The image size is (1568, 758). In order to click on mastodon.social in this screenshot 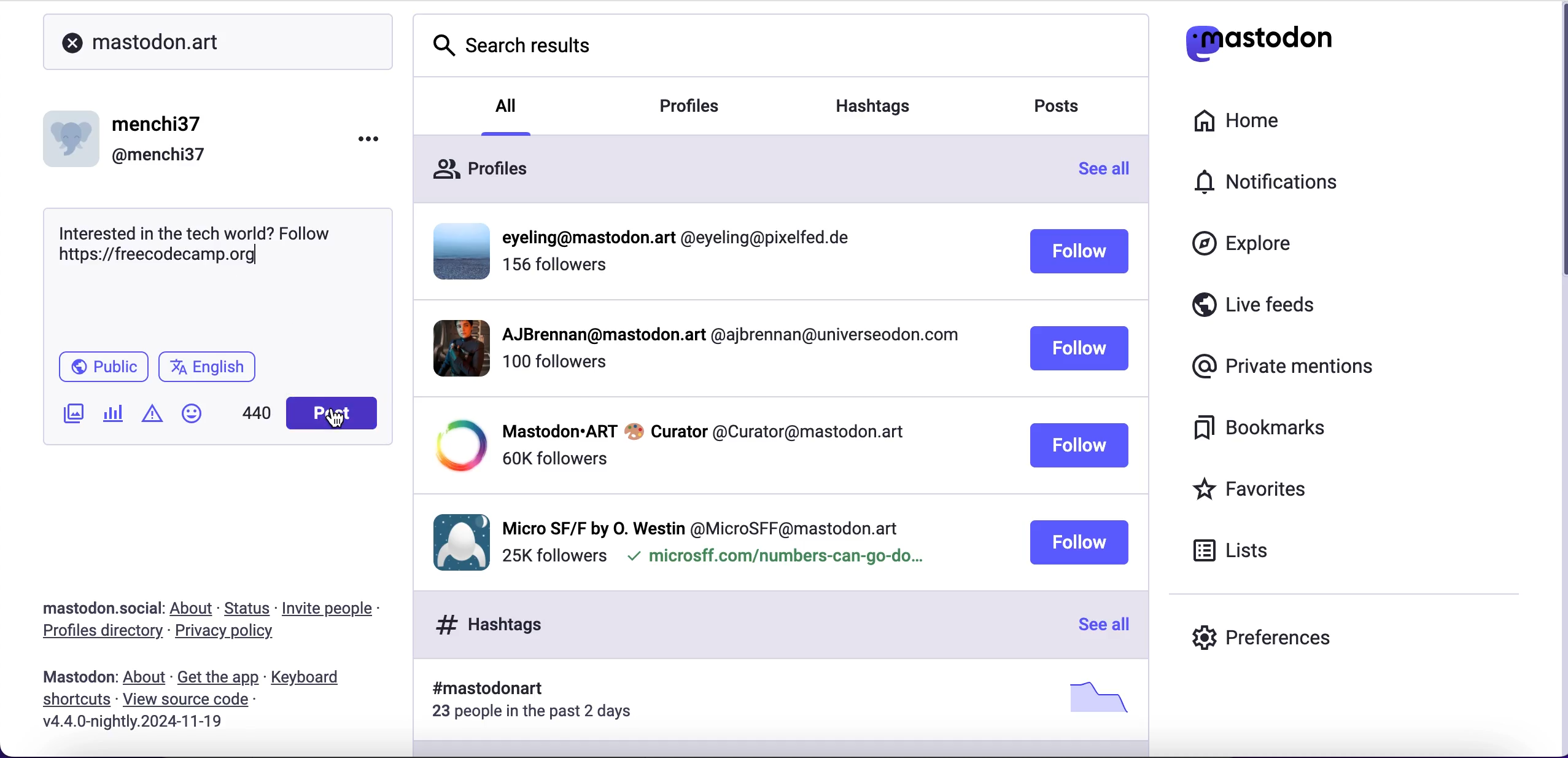, I will do `click(98, 607)`.